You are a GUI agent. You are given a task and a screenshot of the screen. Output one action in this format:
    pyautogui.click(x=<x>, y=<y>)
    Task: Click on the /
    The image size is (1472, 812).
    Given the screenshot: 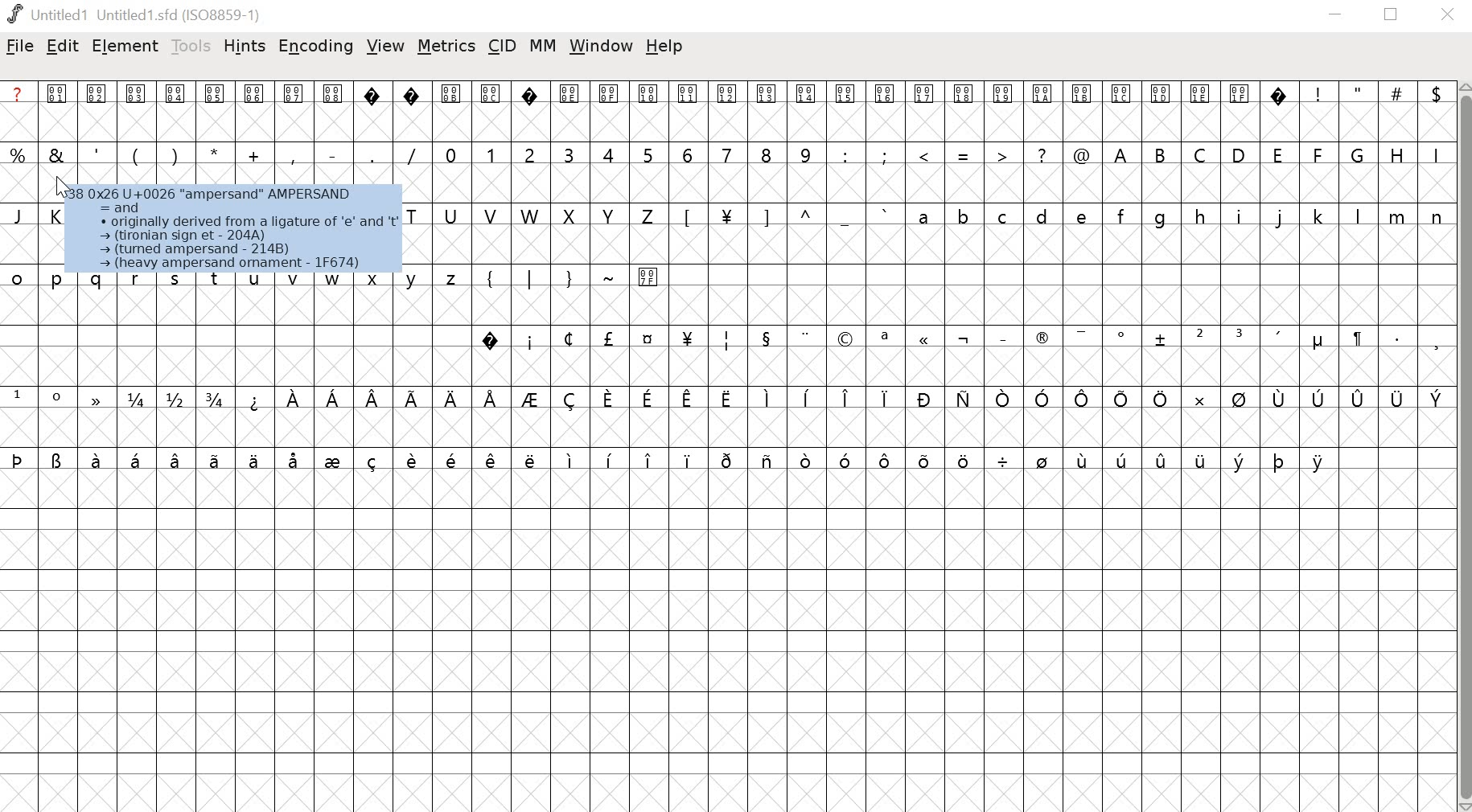 What is the action you would take?
    pyautogui.click(x=412, y=154)
    